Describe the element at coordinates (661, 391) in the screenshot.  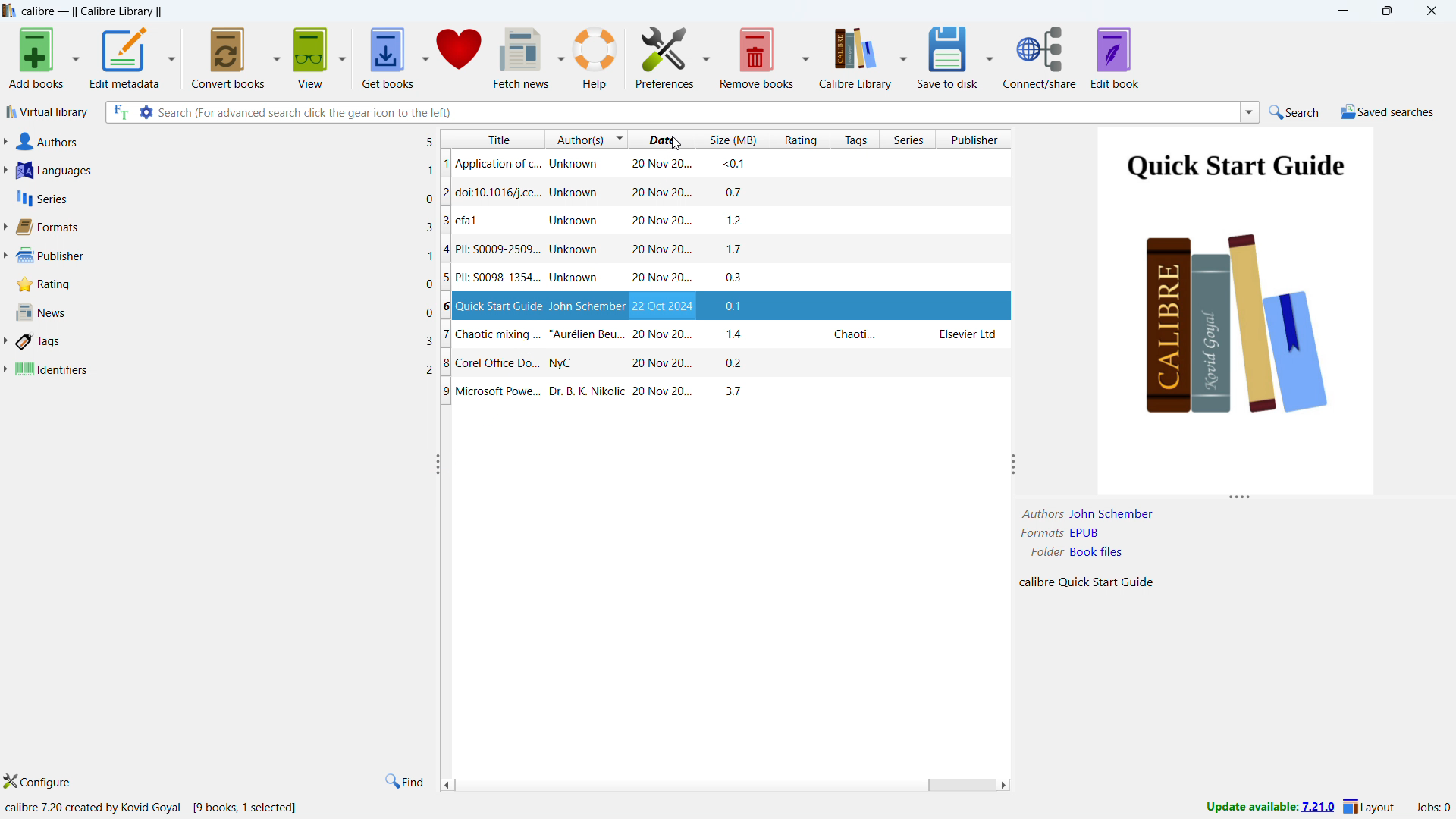
I see `20 Nov 20..` at that location.